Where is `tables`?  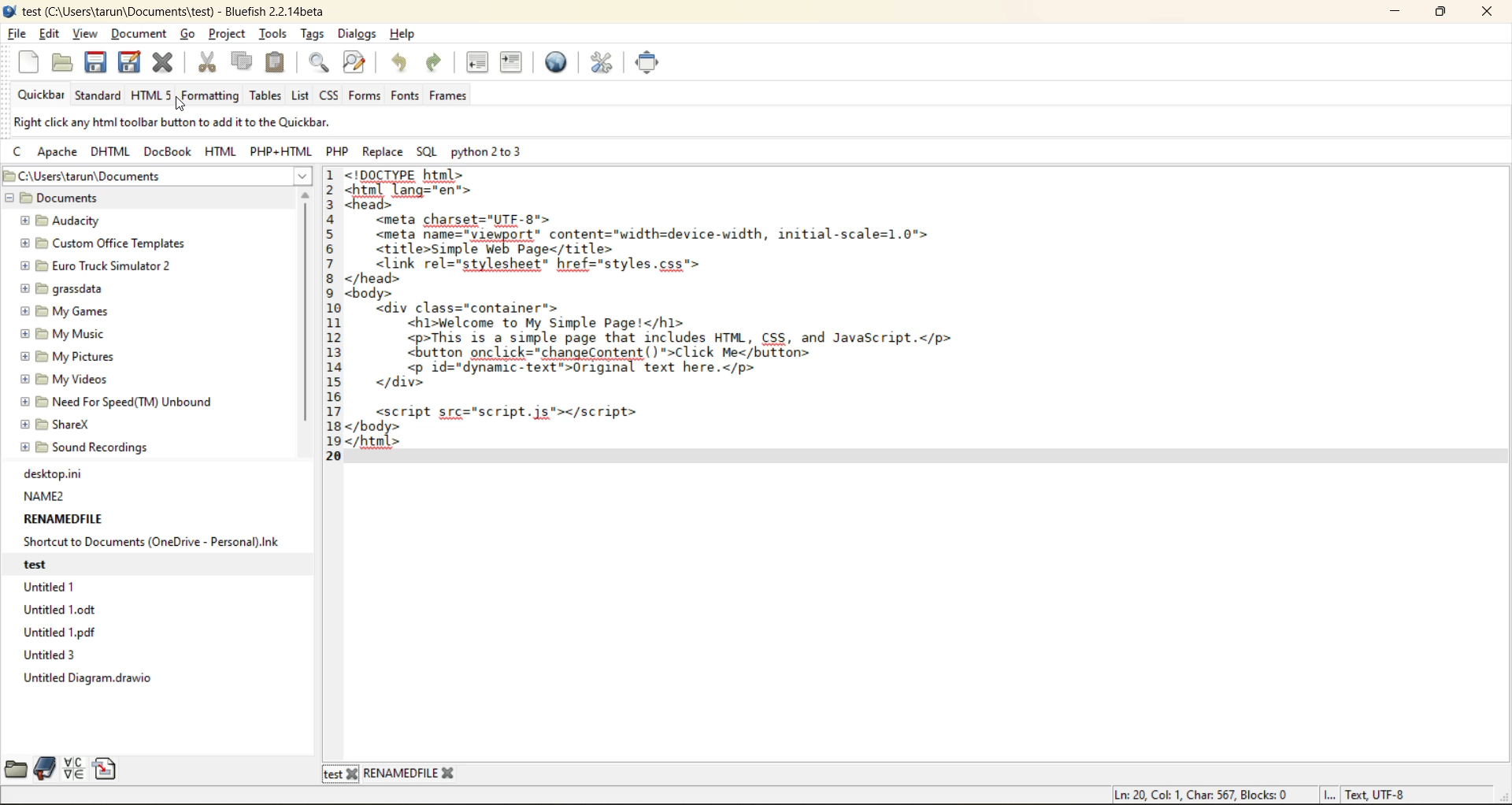 tables is located at coordinates (263, 97).